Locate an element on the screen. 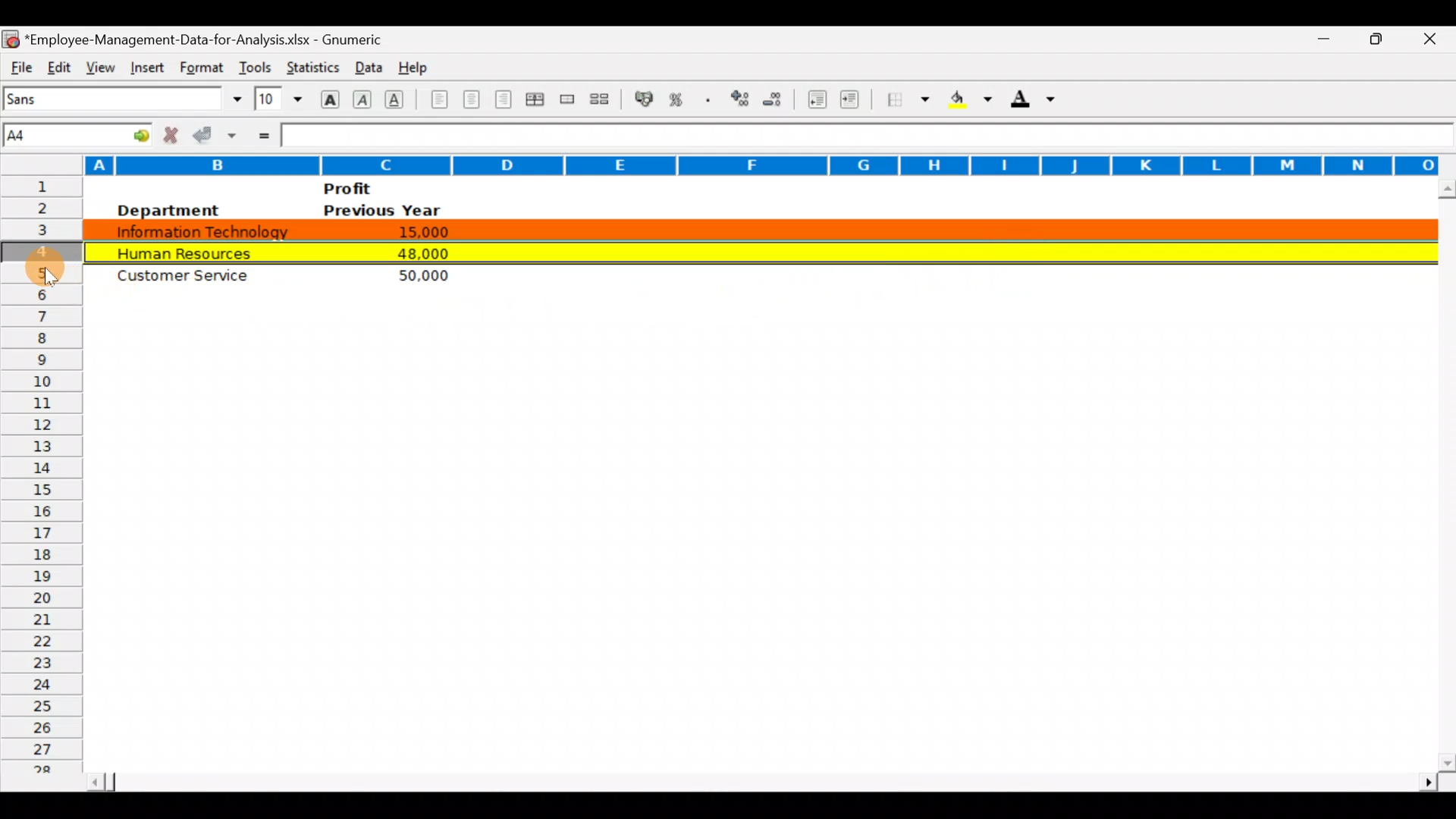  Enter formula is located at coordinates (262, 134).